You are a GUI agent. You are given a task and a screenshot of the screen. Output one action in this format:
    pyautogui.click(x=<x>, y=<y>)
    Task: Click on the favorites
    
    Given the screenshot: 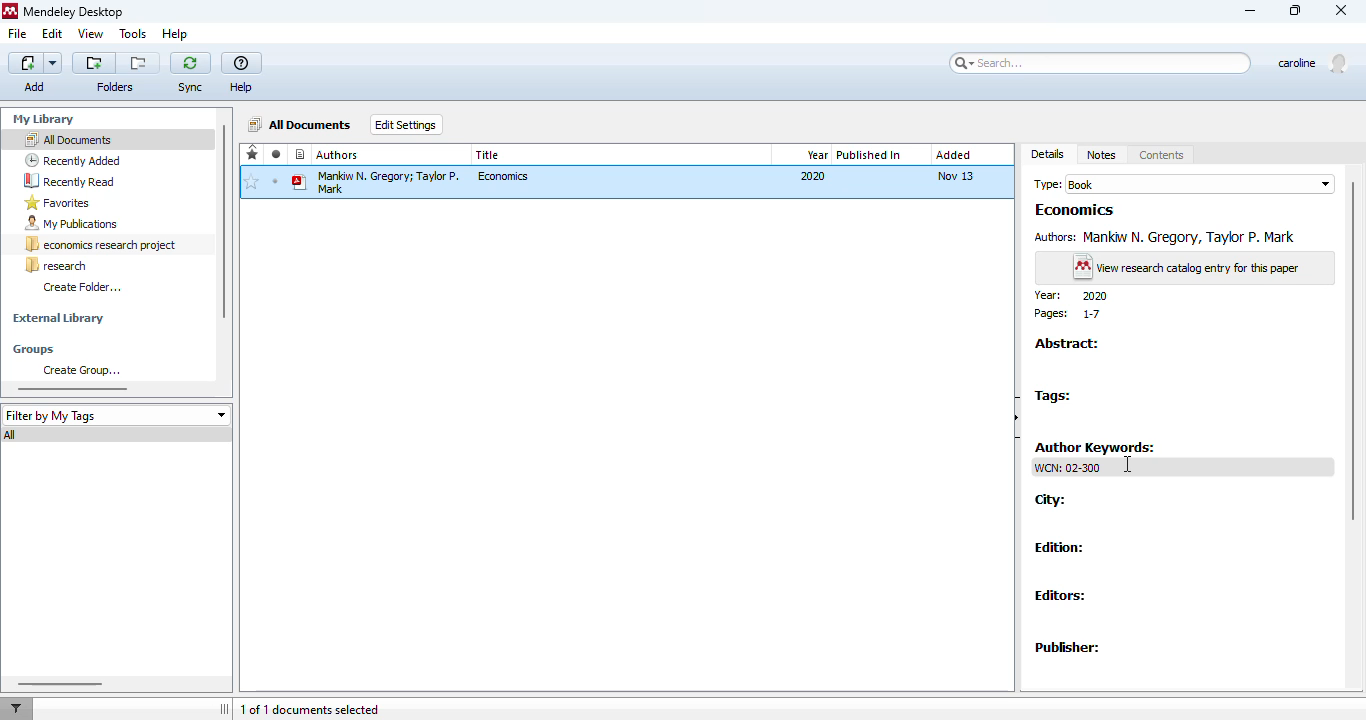 What is the action you would take?
    pyautogui.click(x=57, y=203)
    